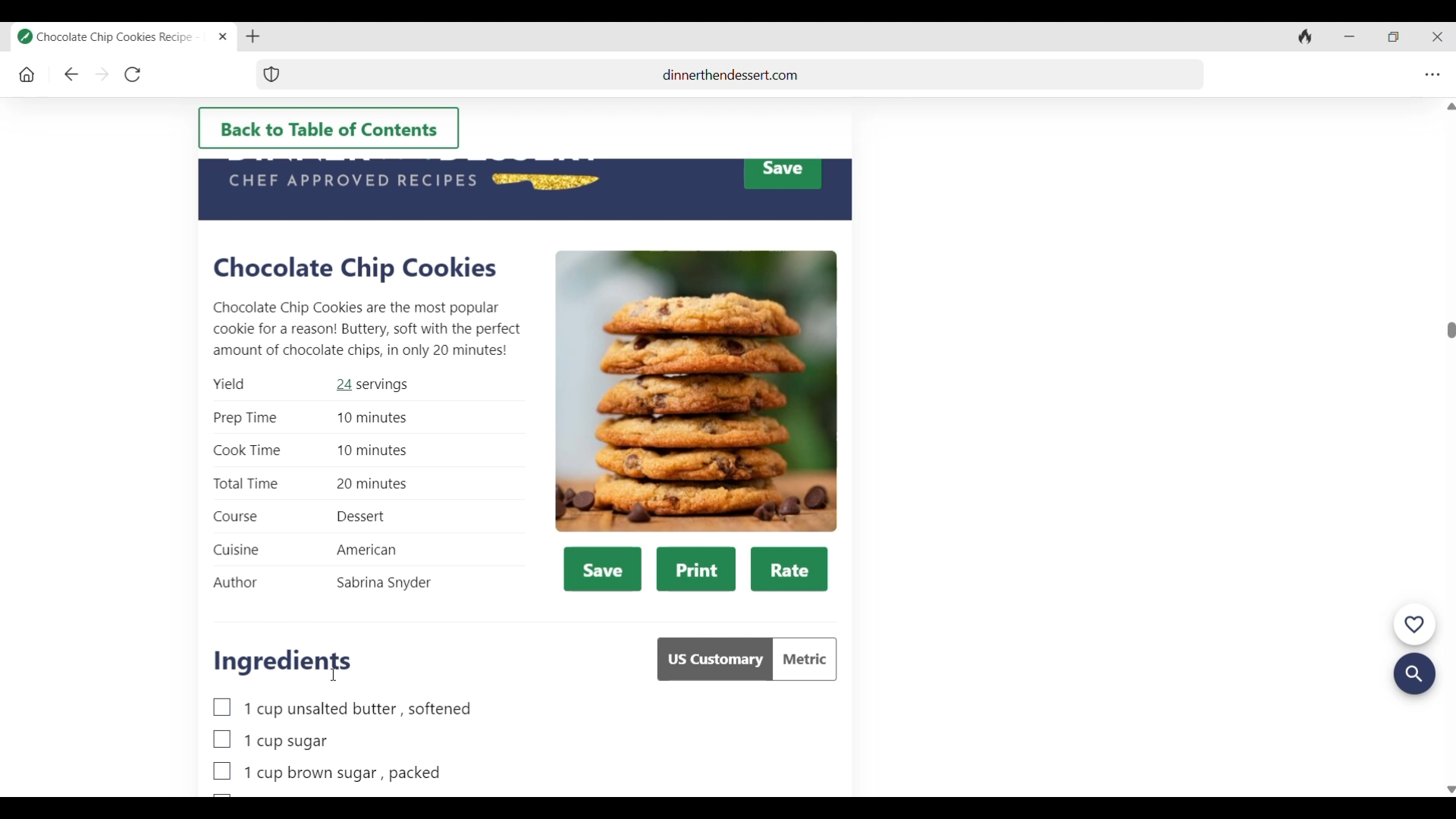 The width and height of the screenshot is (1456, 819). I want to click on Author Sabrina Snyder, so click(322, 584).